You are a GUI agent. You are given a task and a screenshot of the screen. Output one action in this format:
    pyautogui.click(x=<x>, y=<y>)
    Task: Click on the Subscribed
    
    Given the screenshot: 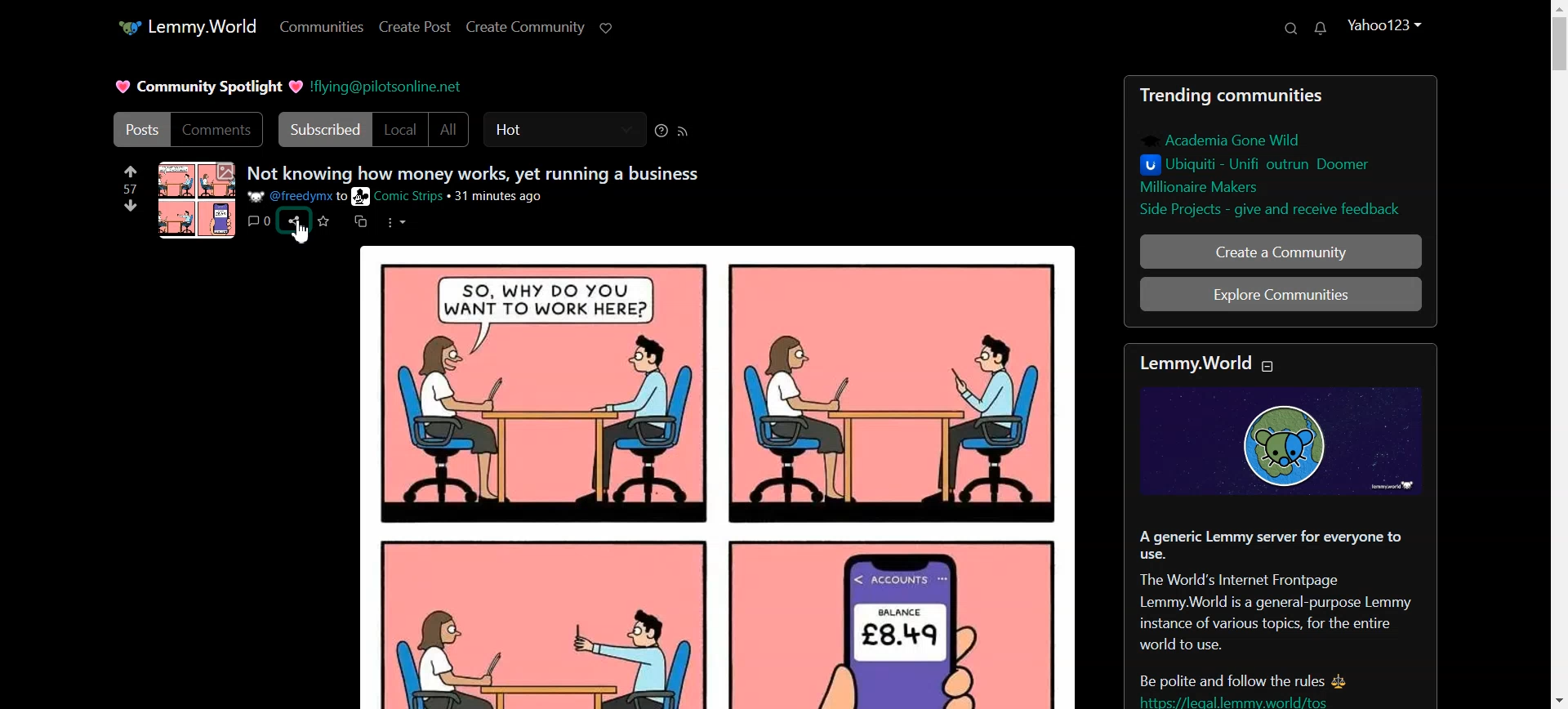 What is the action you would take?
    pyautogui.click(x=322, y=129)
    